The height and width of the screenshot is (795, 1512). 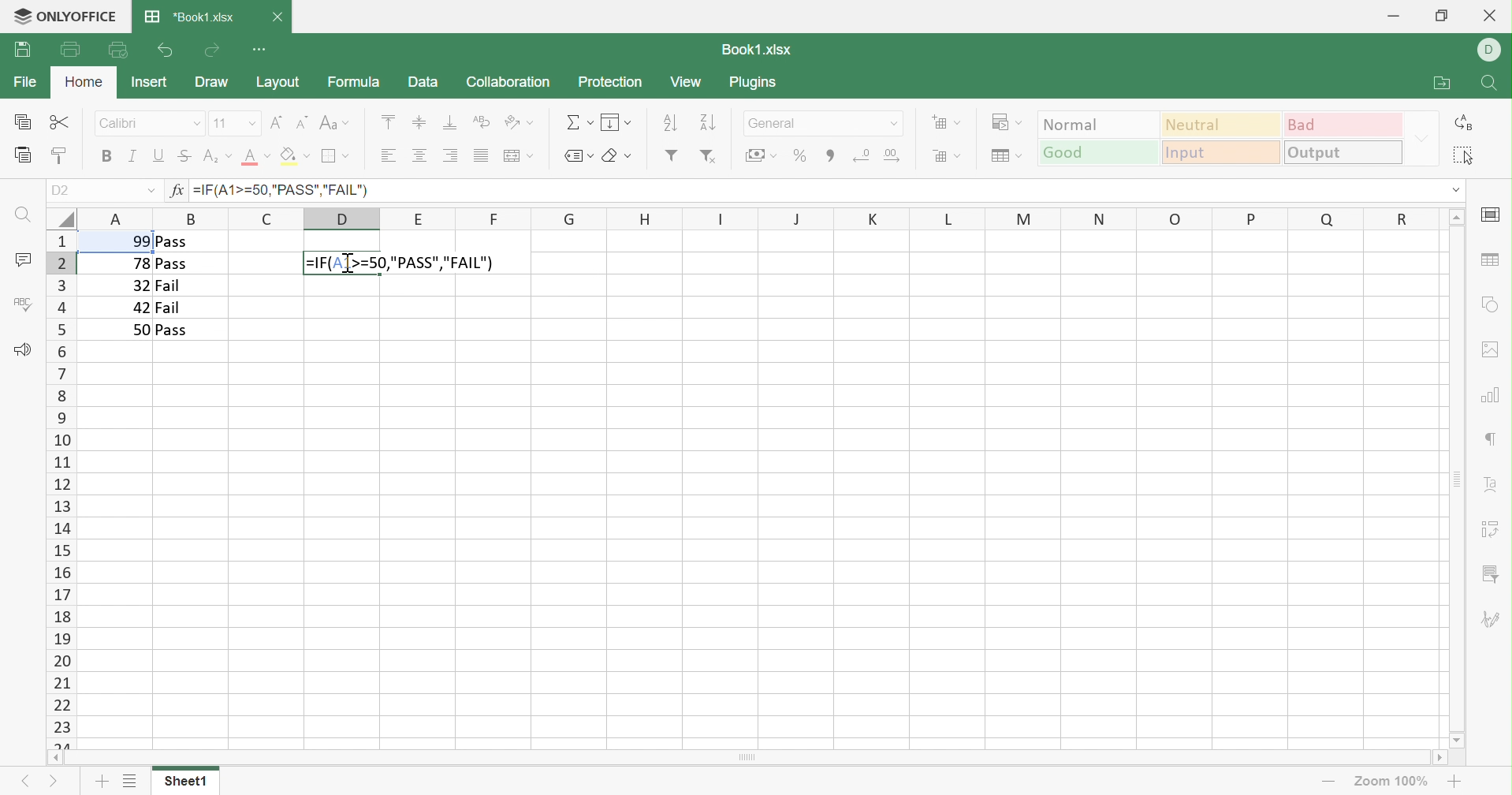 I want to click on Quick print, so click(x=118, y=52).